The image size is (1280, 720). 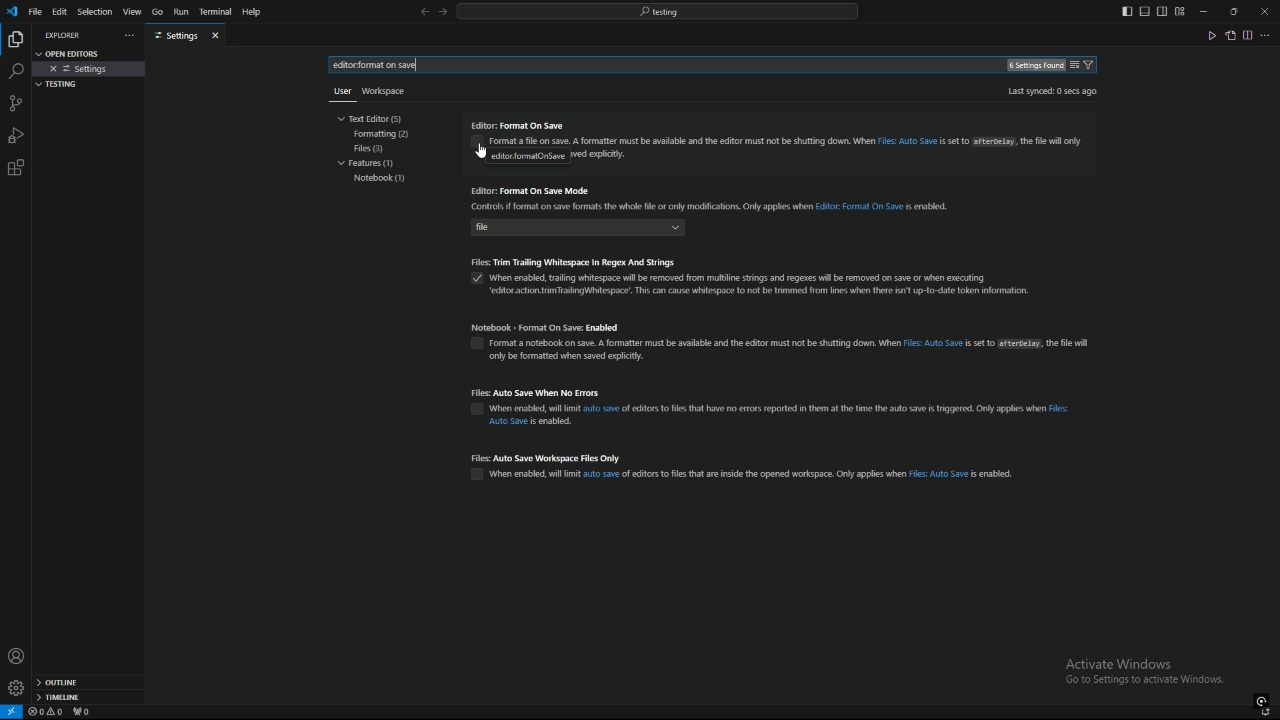 What do you see at coordinates (1267, 713) in the screenshot?
I see `notifications` at bounding box center [1267, 713].